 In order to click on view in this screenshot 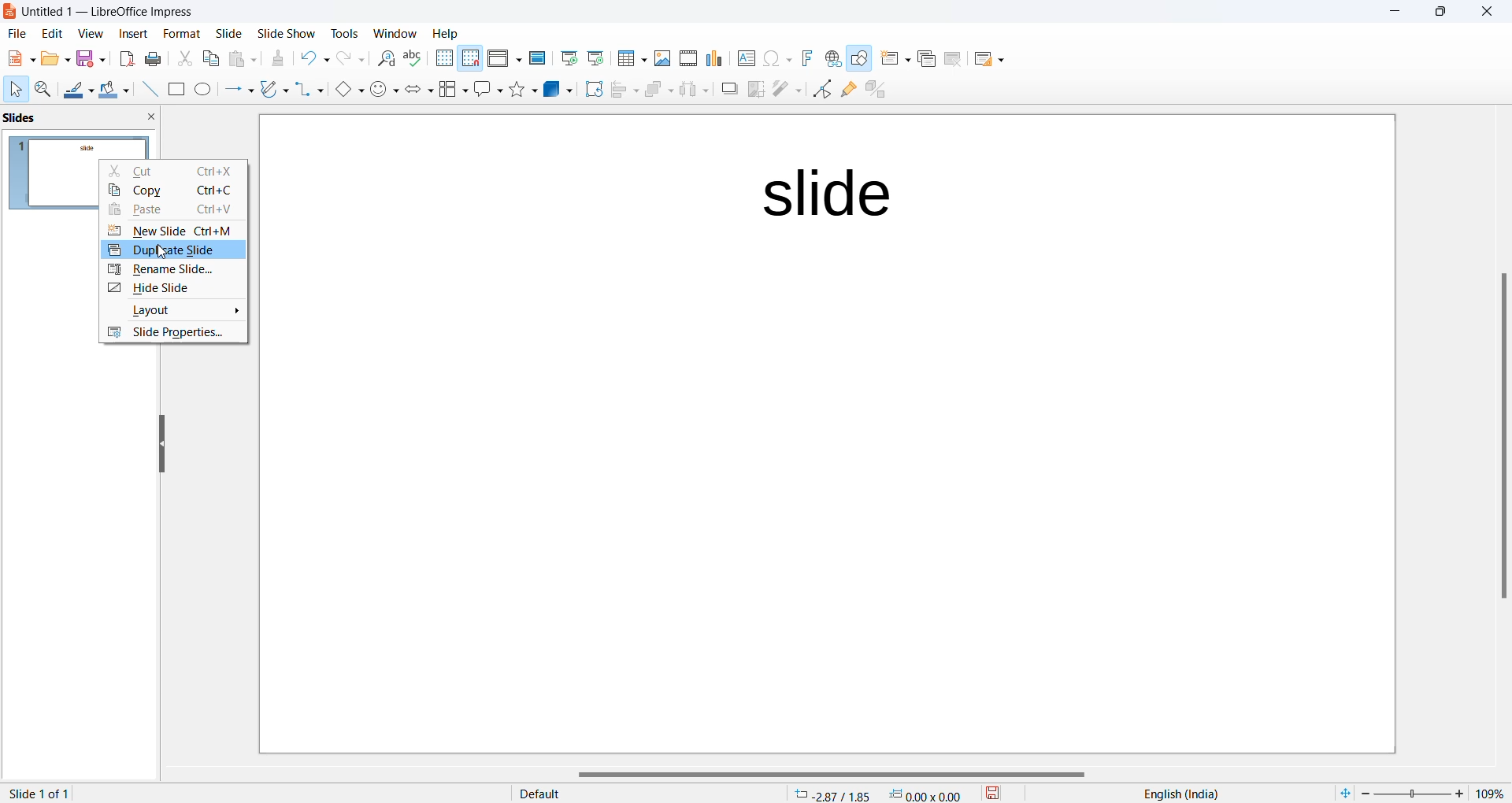, I will do `click(87, 35)`.